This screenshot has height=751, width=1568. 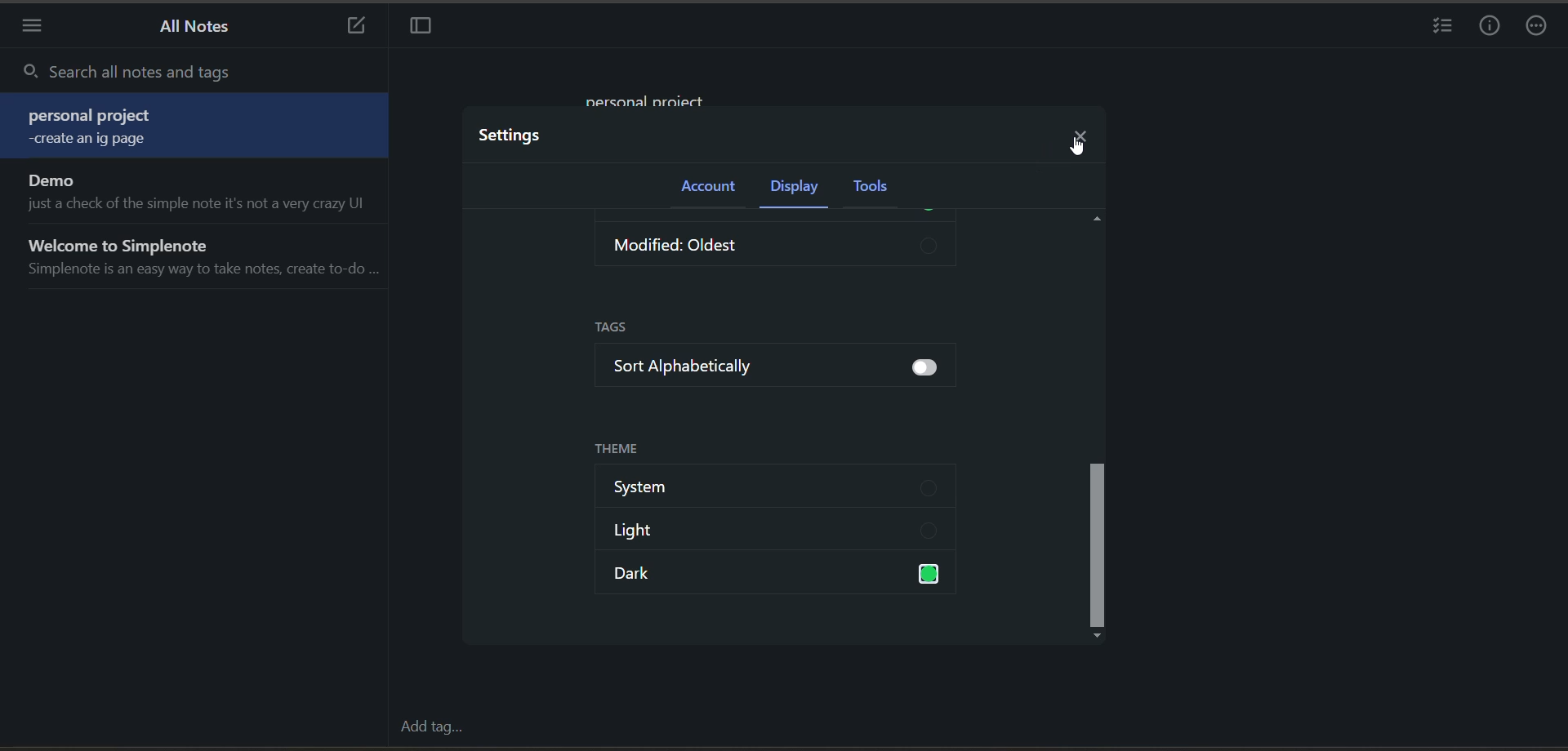 What do you see at coordinates (200, 127) in the screenshot?
I see `note 1` at bounding box center [200, 127].